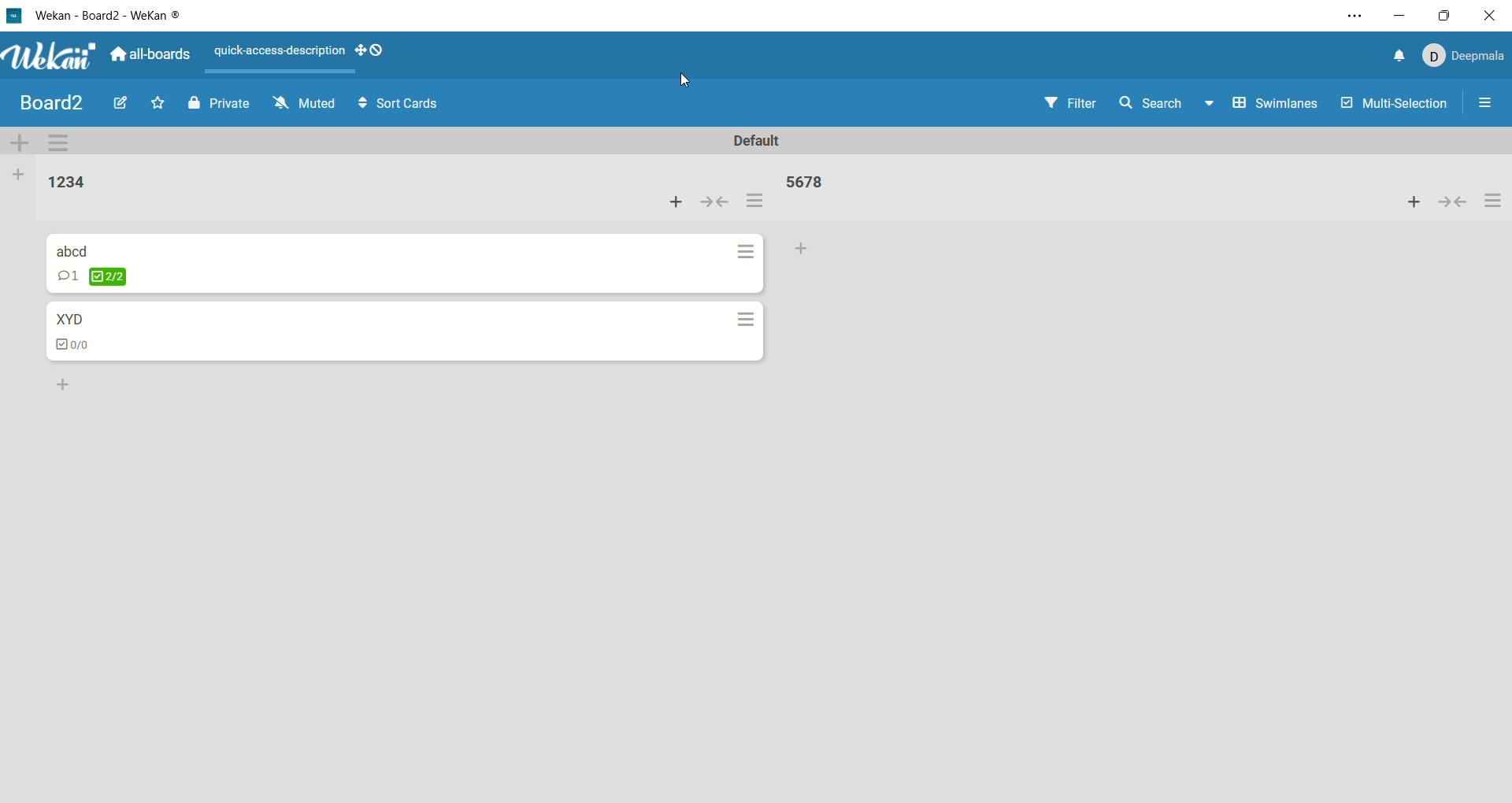 The image size is (1512, 803). I want to click on wekan-wekan, so click(127, 15).